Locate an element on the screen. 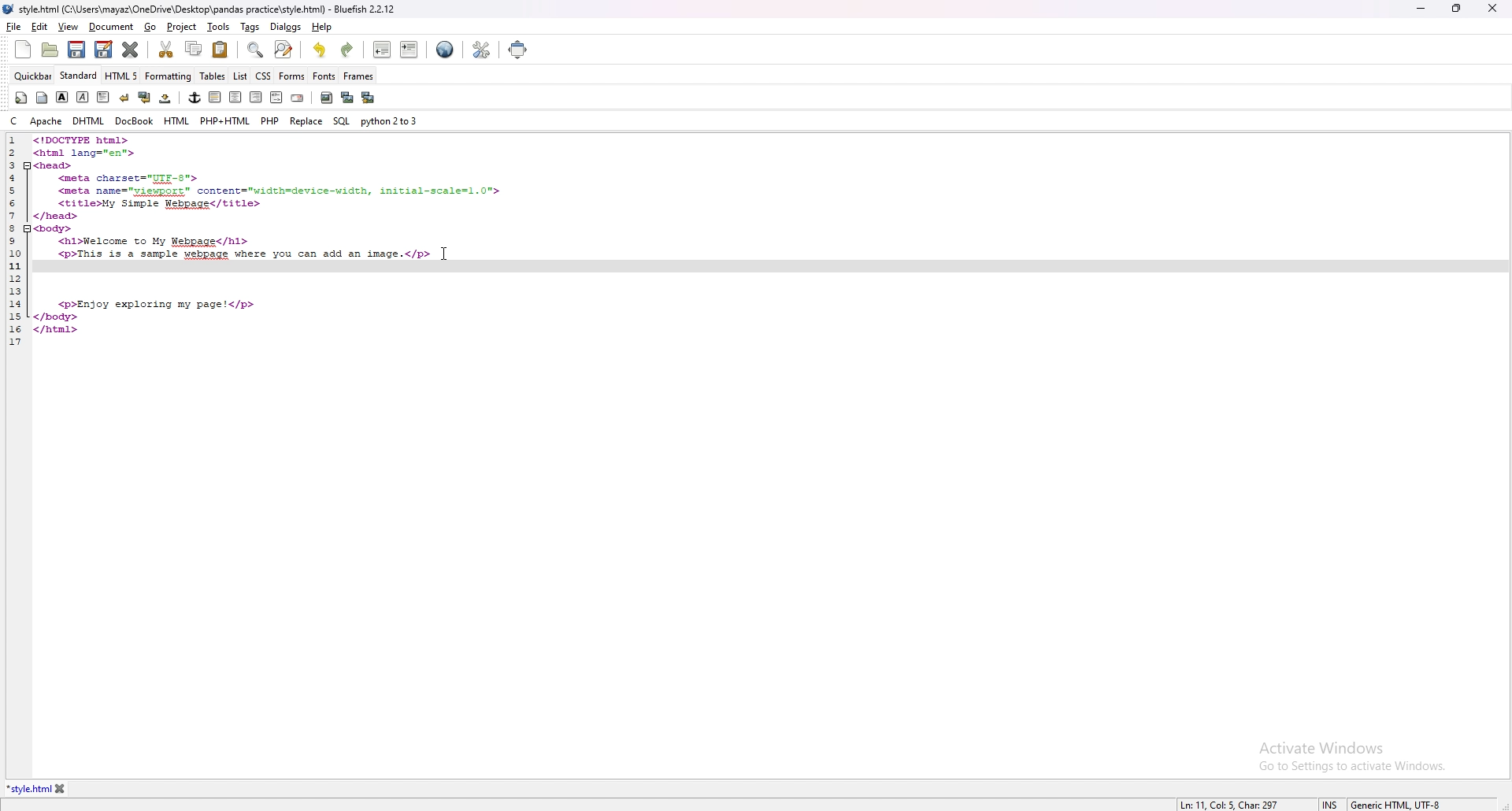 Image resolution: width=1512 pixels, height=811 pixels. save as is located at coordinates (103, 50).